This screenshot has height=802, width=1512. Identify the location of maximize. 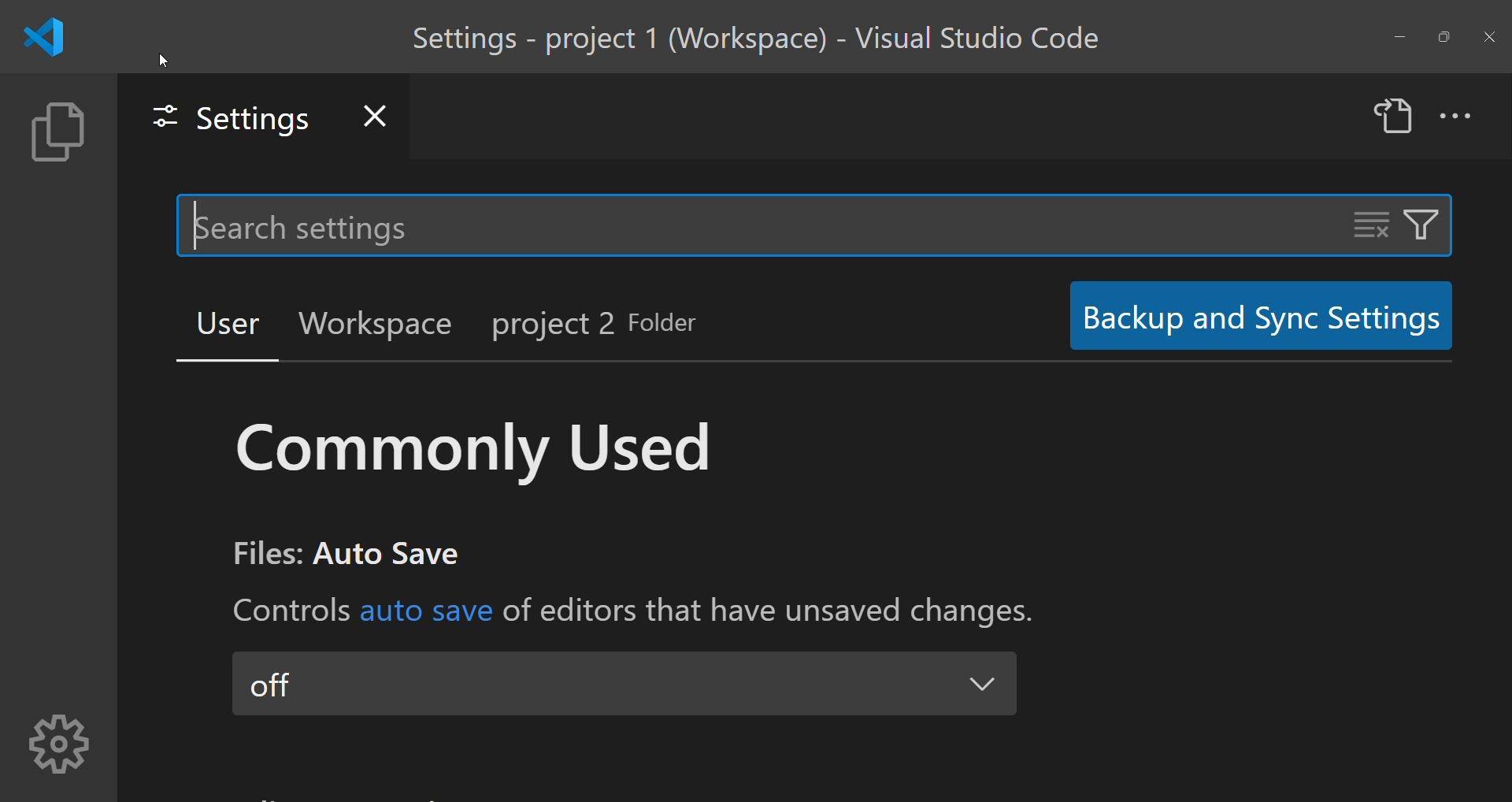
(1443, 39).